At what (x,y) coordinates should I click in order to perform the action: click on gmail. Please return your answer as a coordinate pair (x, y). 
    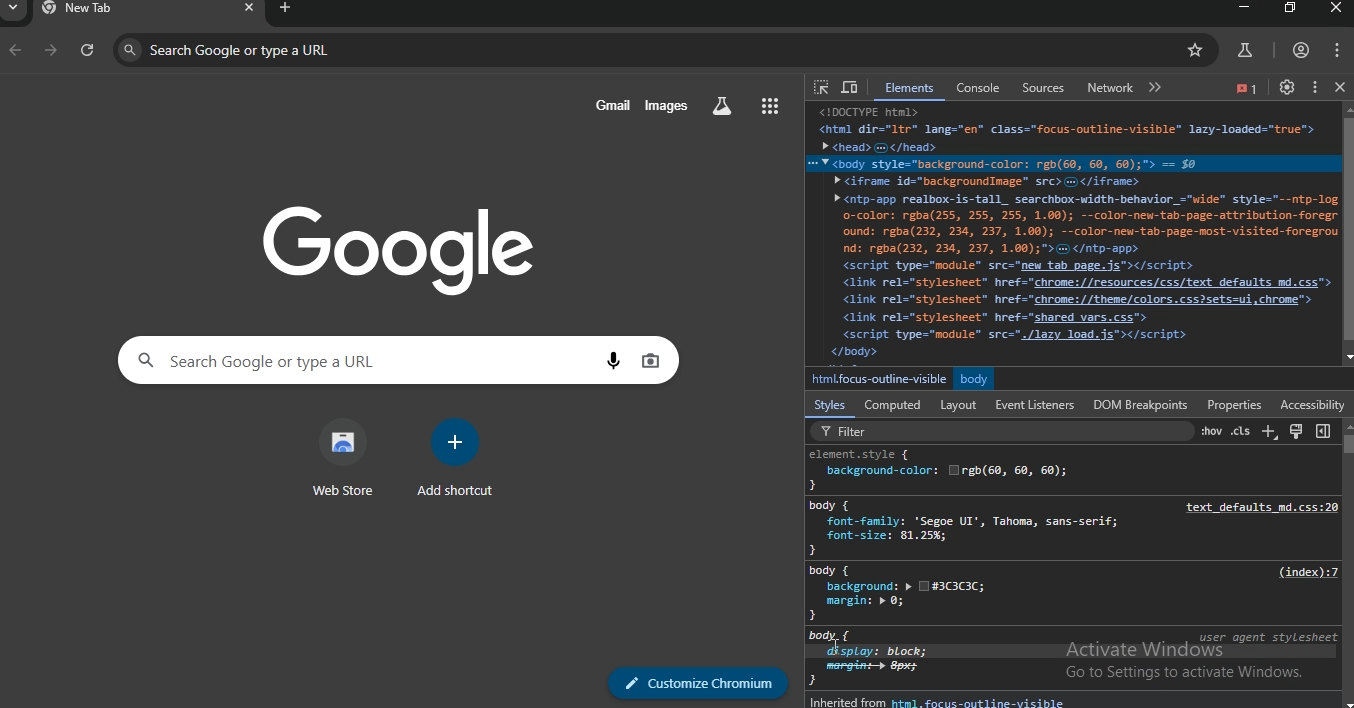
    Looking at the image, I should click on (610, 104).